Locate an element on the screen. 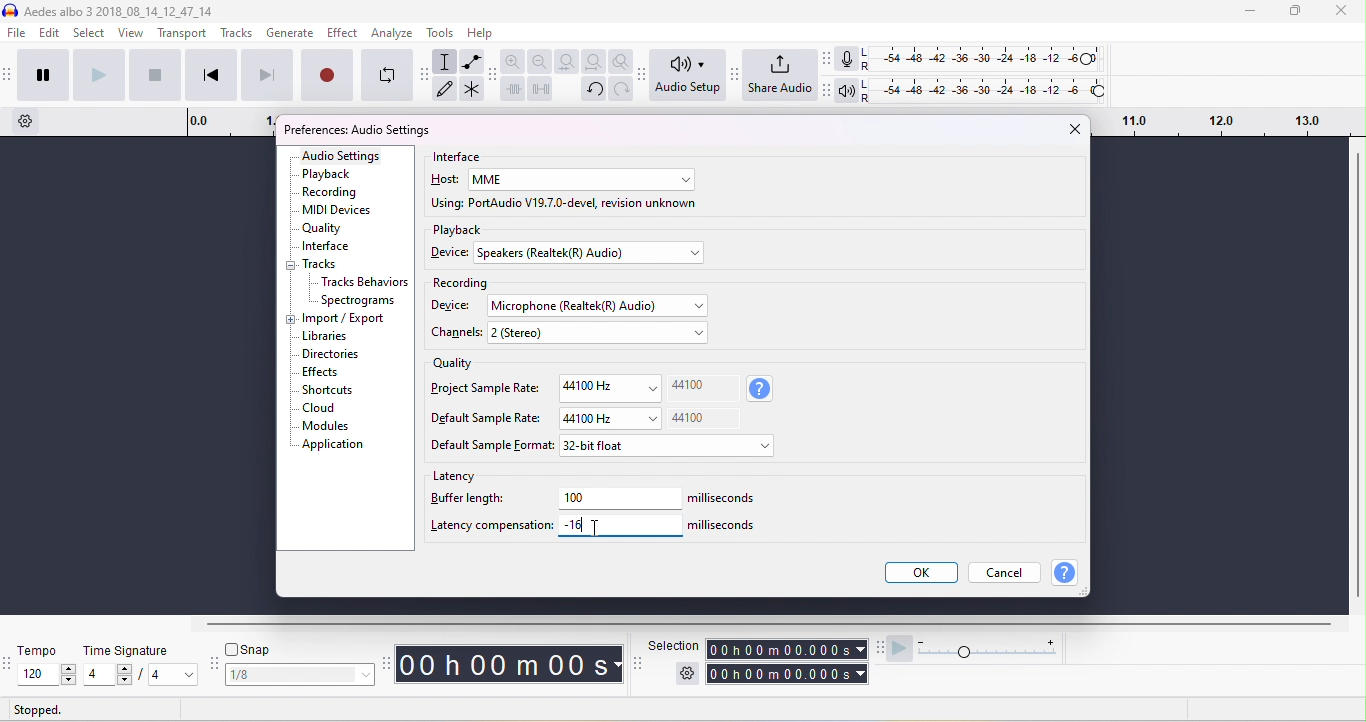 The image size is (1366, 722). interface is located at coordinates (459, 157).